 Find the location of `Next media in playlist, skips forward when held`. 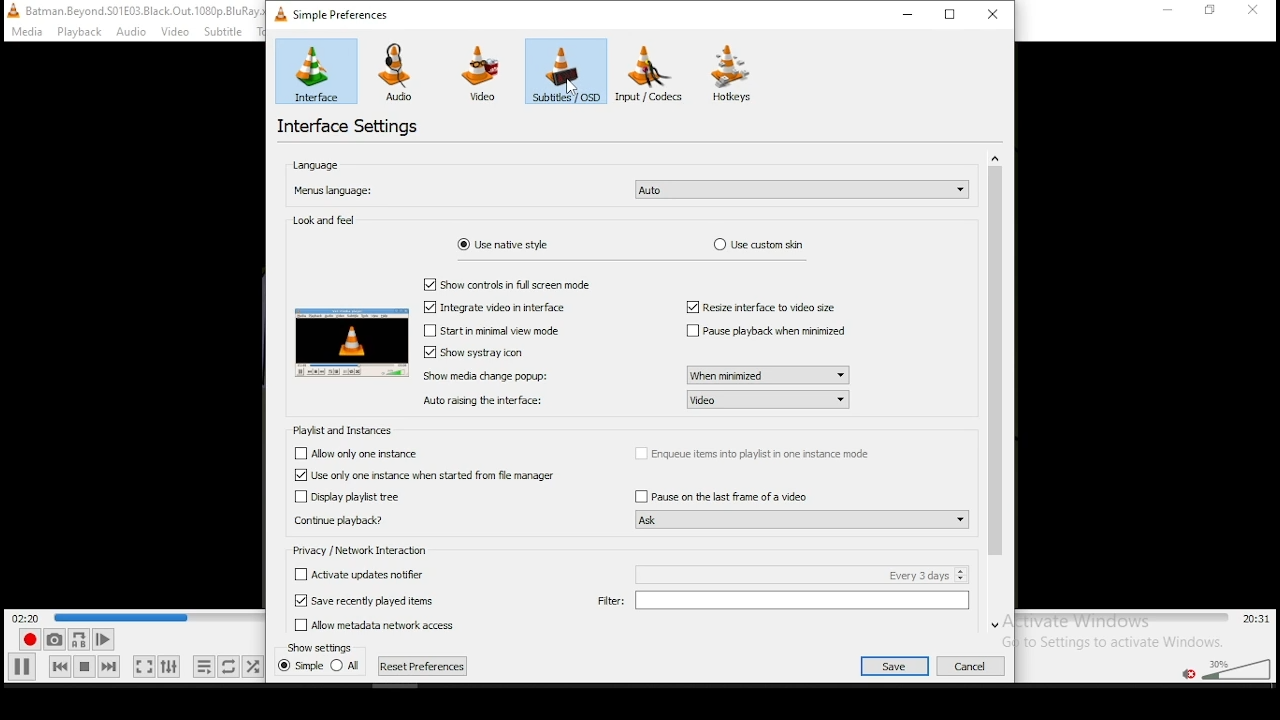

Next media in playlist, skips forward when held is located at coordinates (108, 667).